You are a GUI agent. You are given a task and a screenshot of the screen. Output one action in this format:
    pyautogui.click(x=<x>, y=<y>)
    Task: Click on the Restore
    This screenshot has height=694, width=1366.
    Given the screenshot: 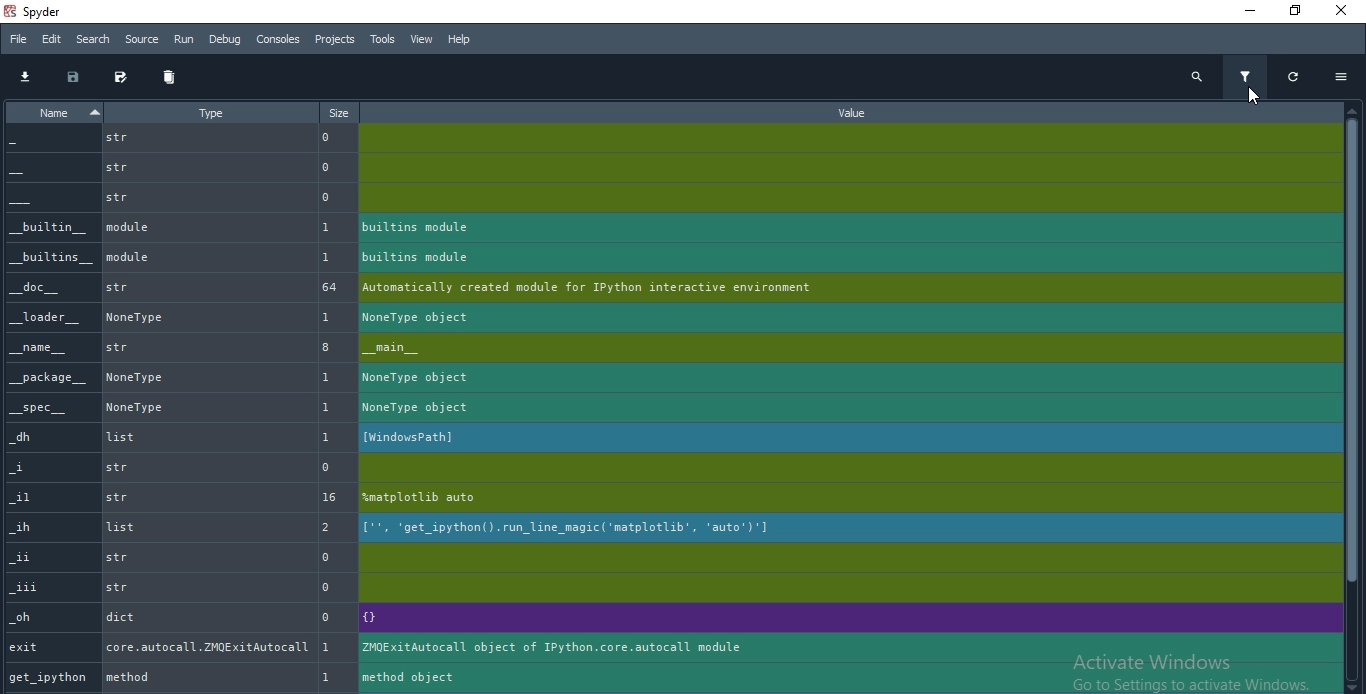 What is the action you would take?
    pyautogui.click(x=1295, y=11)
    